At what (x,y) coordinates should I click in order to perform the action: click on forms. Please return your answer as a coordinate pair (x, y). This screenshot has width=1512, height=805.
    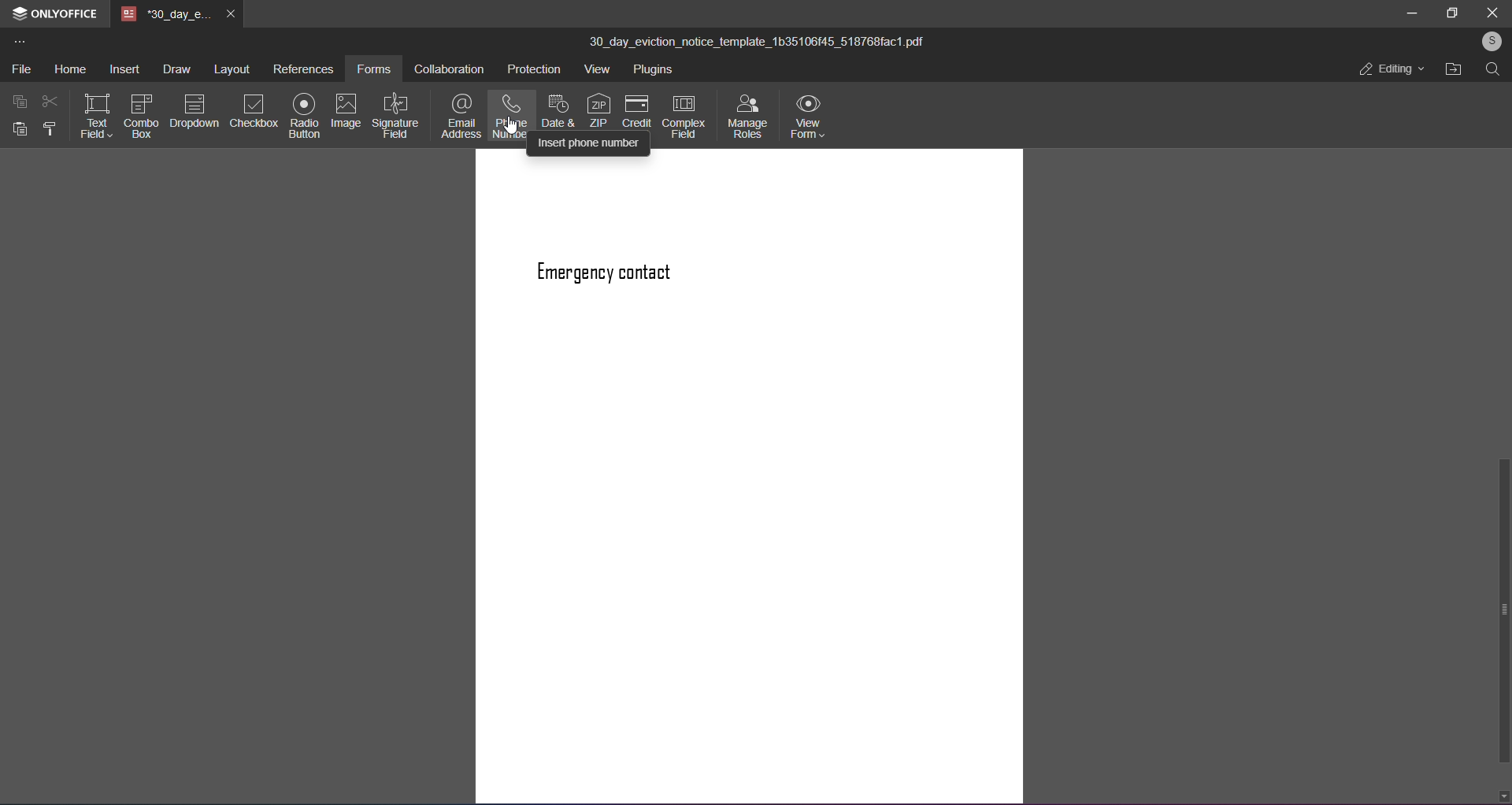
    Looking at the image, I should click on (375, 65).